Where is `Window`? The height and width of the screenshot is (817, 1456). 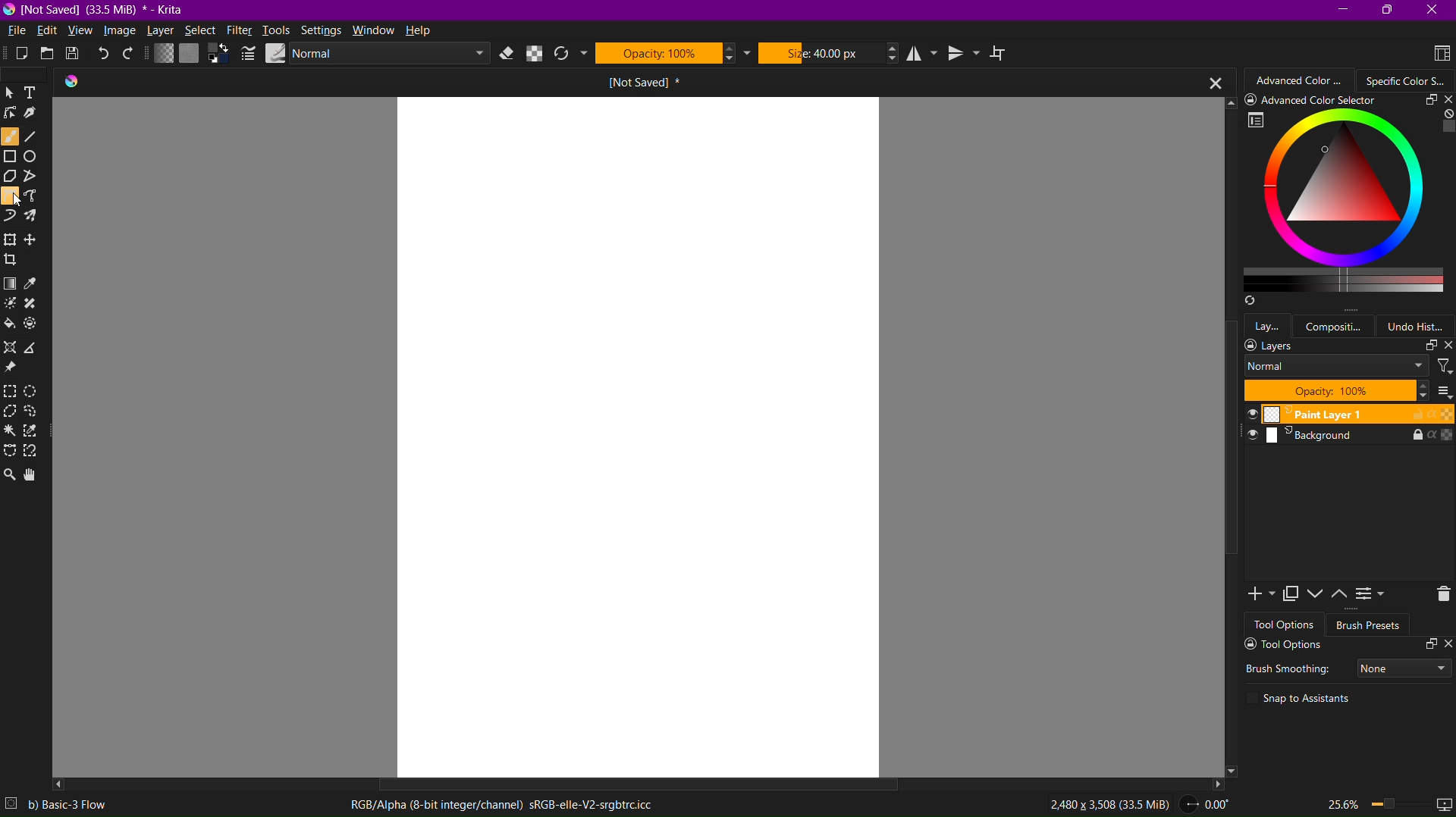
Window is located at coordinates (376, 30).